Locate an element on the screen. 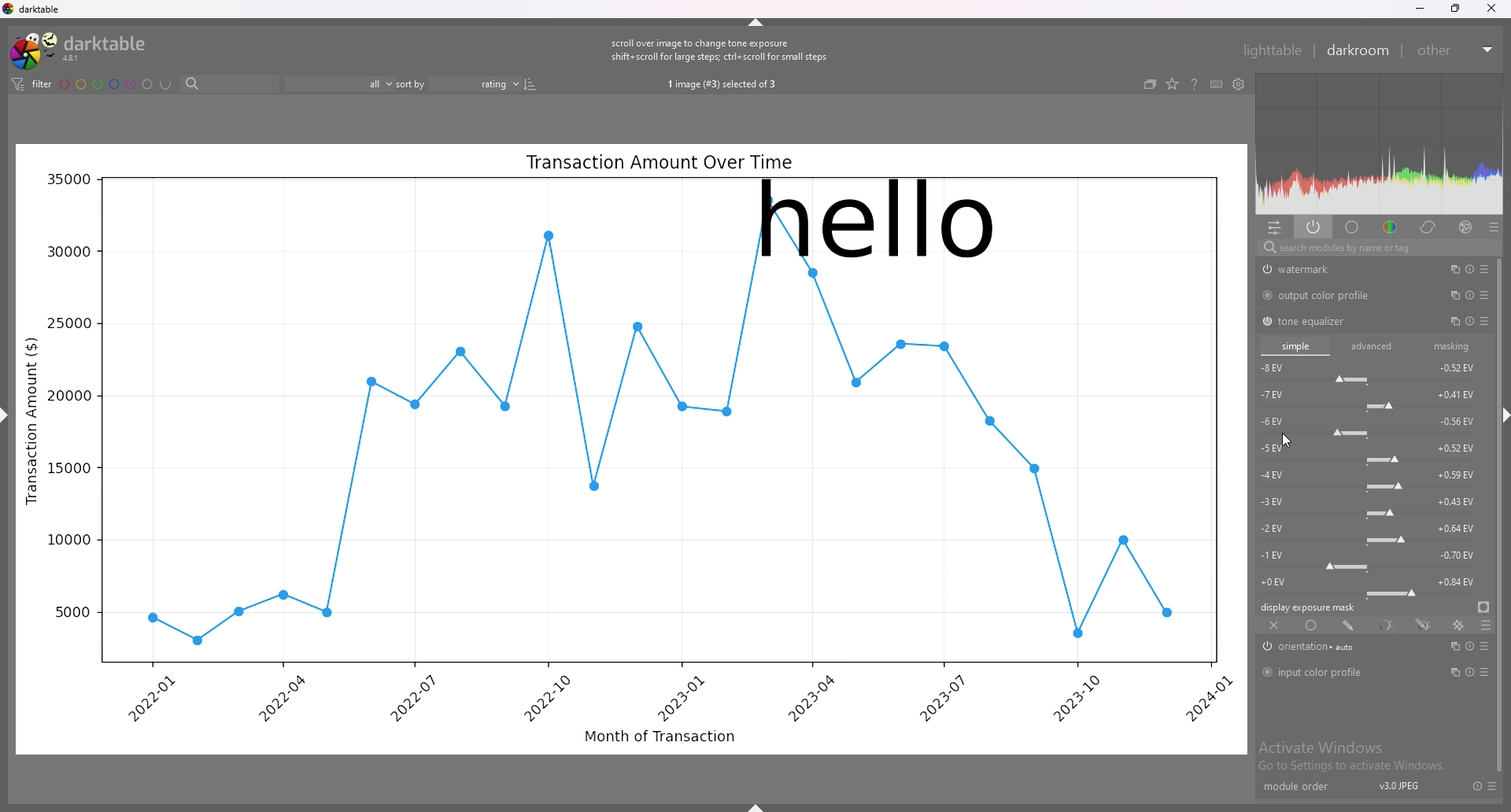  multiple instance actions, reset and presets is located at coordinates (1469, 321).